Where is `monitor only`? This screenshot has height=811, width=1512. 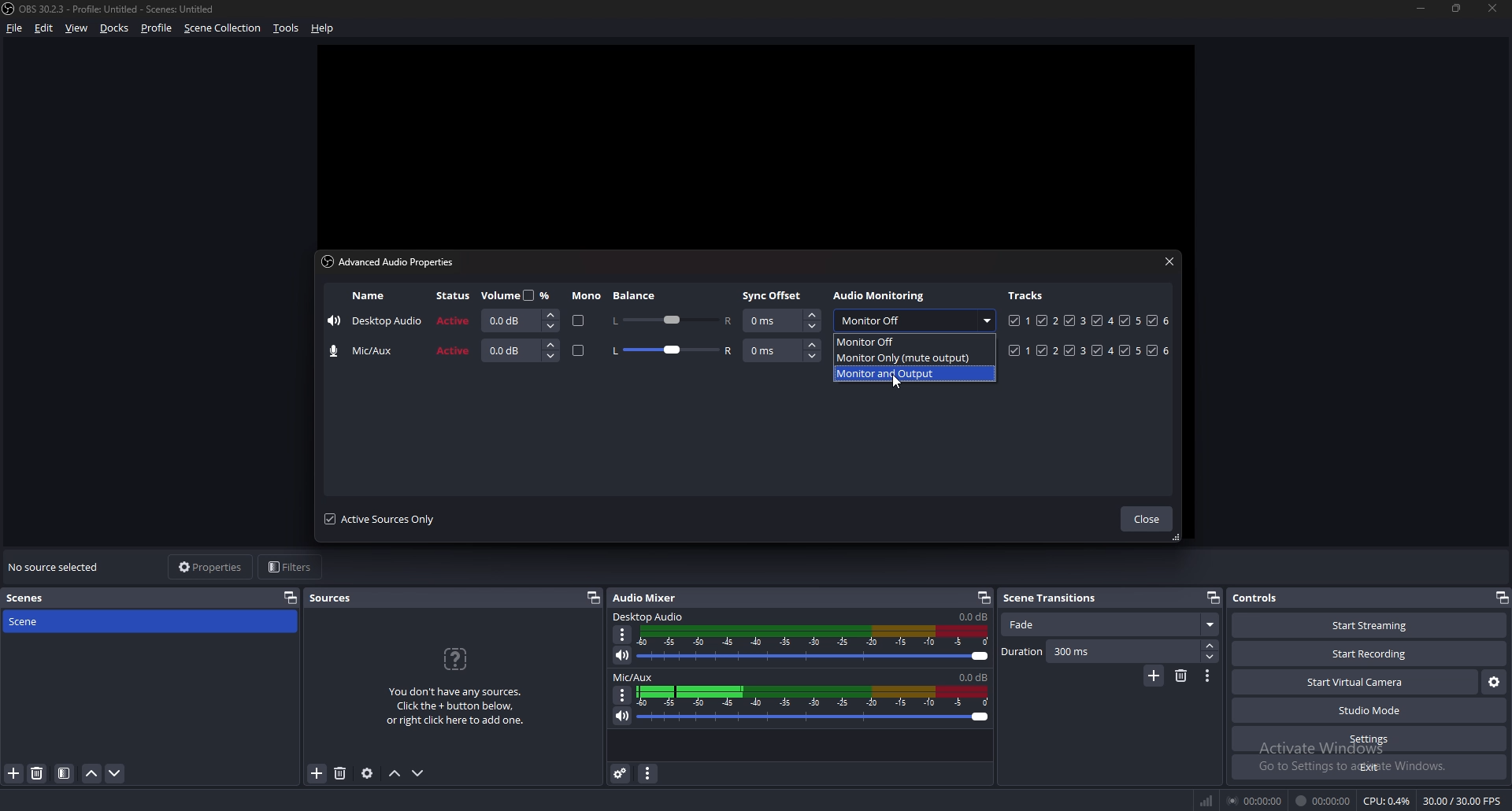
monitor only is located at coordinates (906, 357).